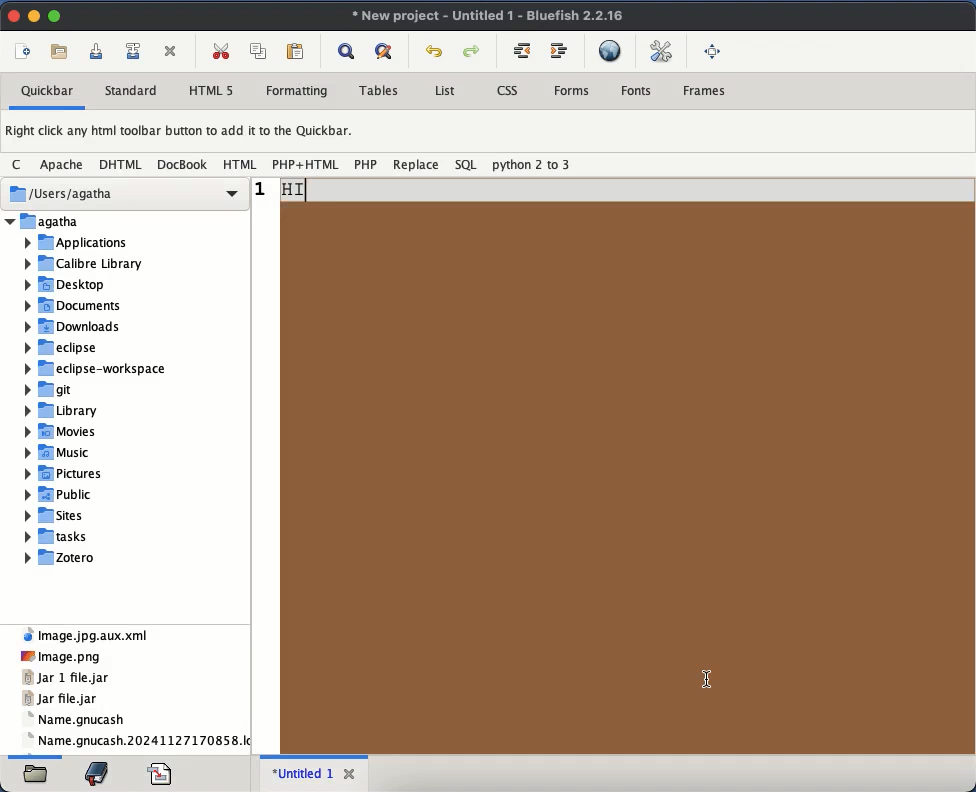  Describe the element at coordinates (511, 90) in the screenshot. I see `css` at that location.